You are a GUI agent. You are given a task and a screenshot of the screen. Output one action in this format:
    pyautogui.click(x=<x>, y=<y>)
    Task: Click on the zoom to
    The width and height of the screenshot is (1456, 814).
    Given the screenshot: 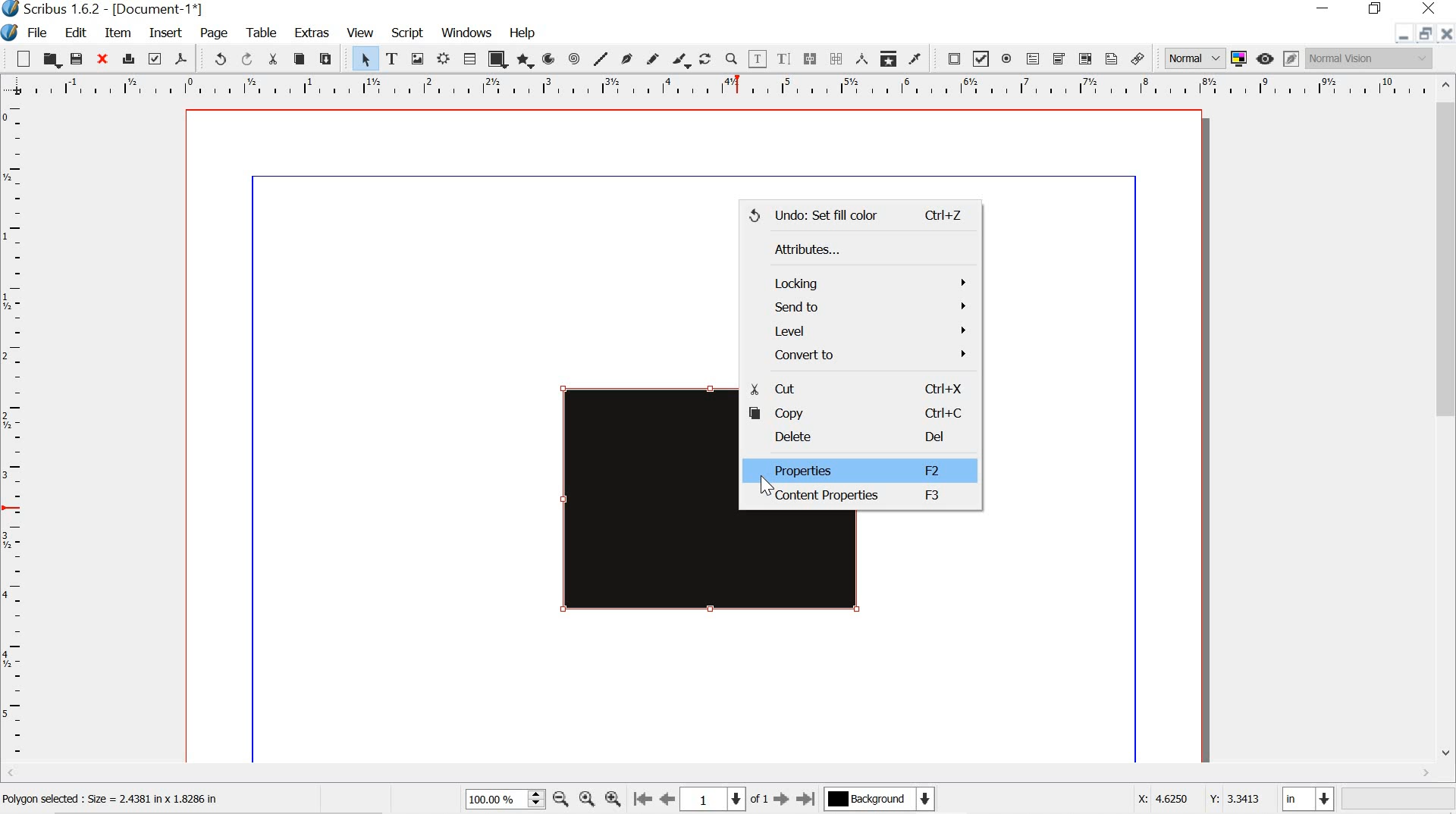 What is the action you would take?
    pyautogui.click(x=585, y=799)
    